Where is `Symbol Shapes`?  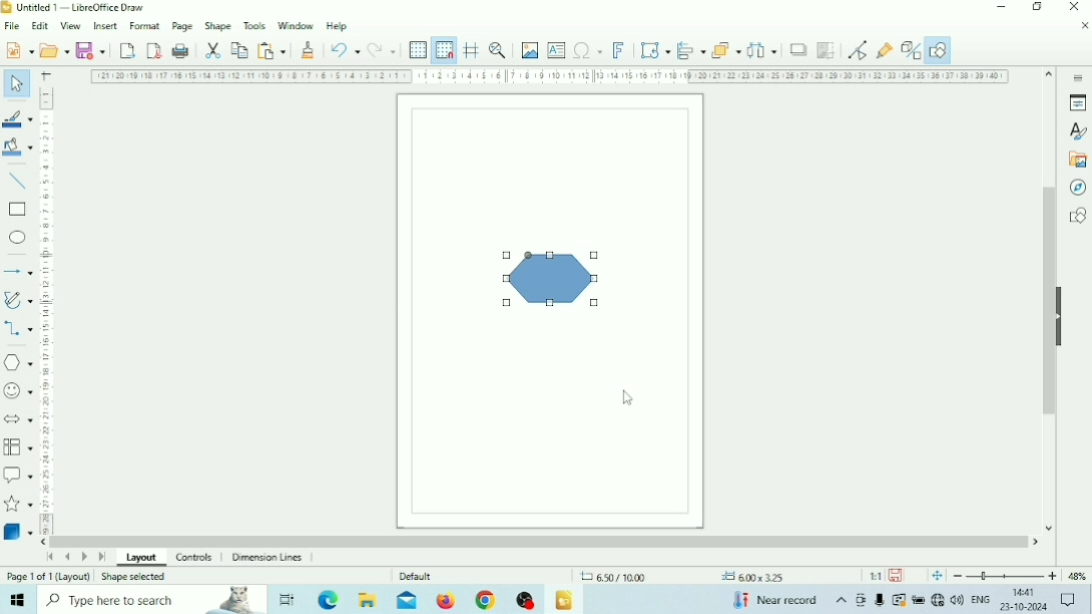
Symbol Shapes is located at coordinates (18, 391).